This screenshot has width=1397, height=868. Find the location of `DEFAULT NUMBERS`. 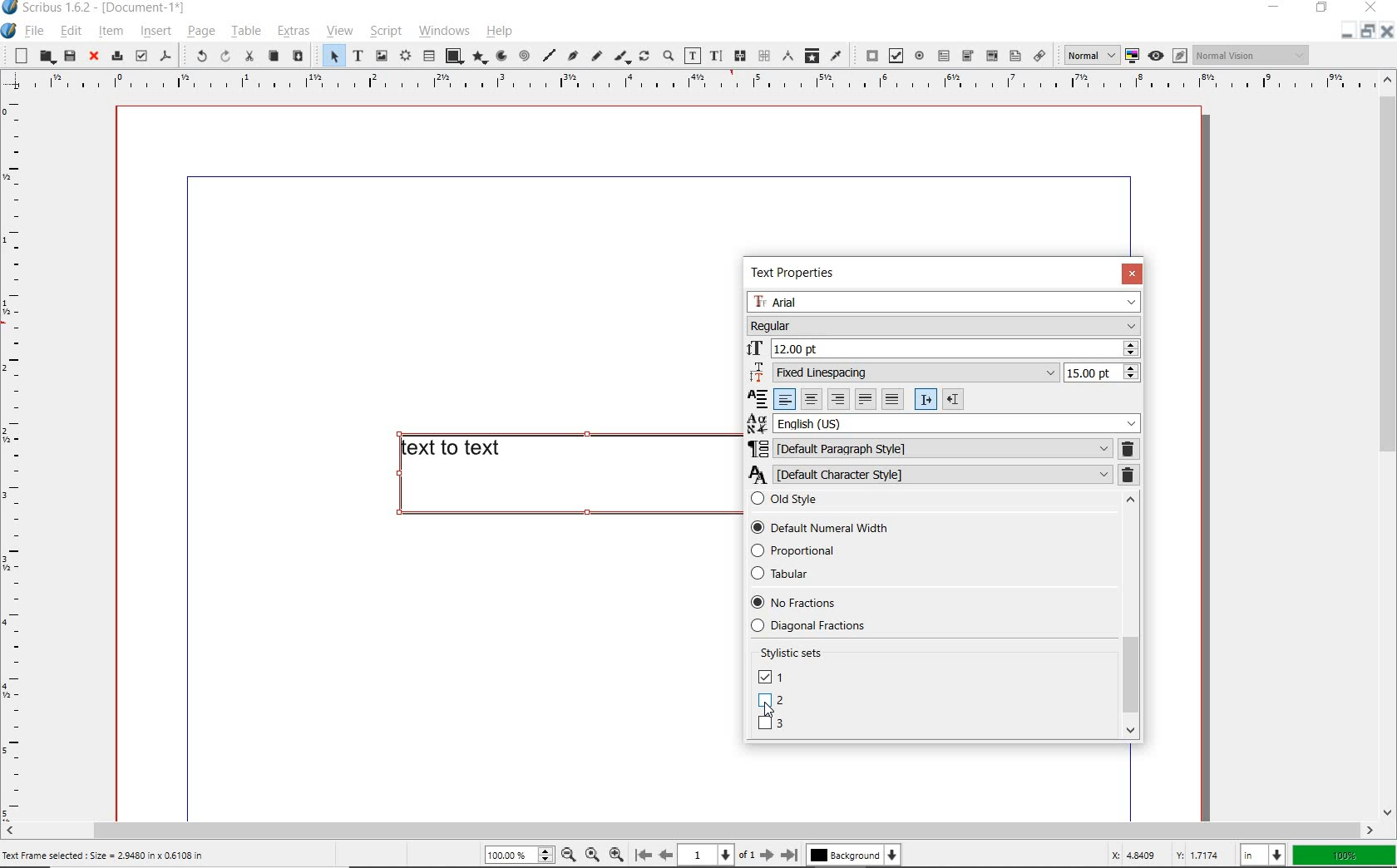

DEFAULT NUMBERS is located at coordinates (768, 699).